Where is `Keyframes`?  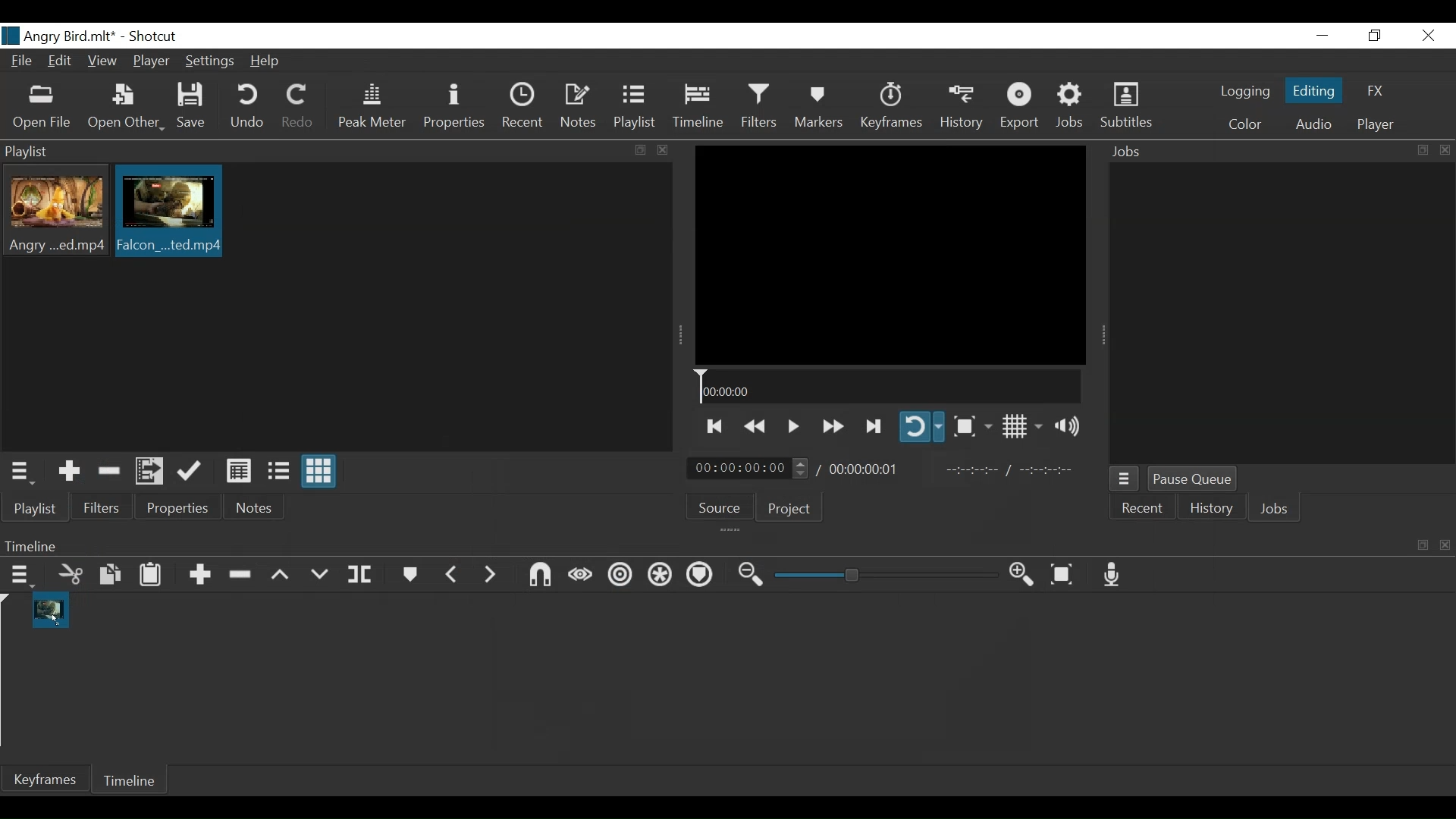 Keyframes is located at coordinates (890, 106).